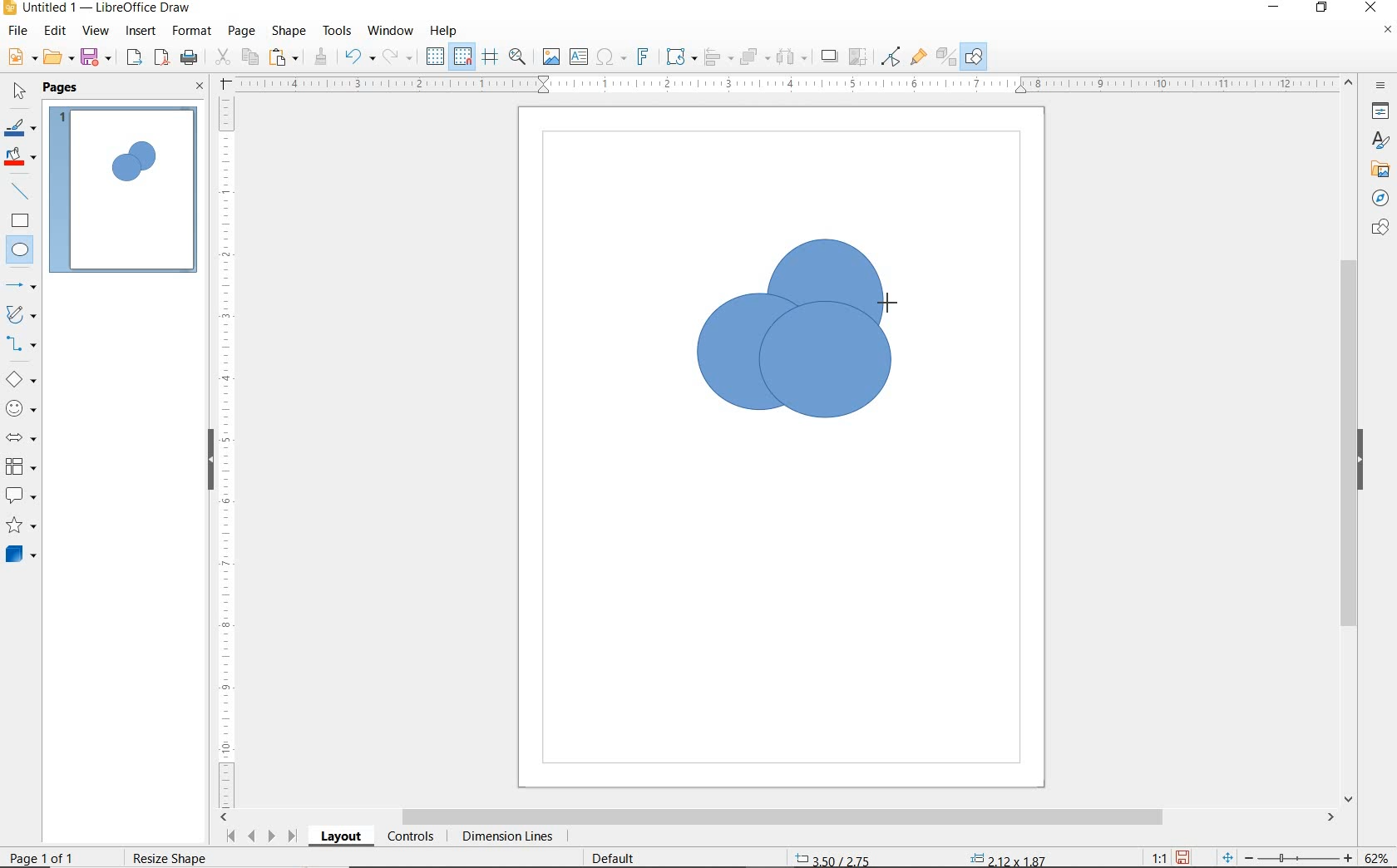 The image size is (1397, 868). What do you see at coordinates (1375, 199) in the screenshot?
I see `NAVIGATOR` at bounding box center [1375, 199].